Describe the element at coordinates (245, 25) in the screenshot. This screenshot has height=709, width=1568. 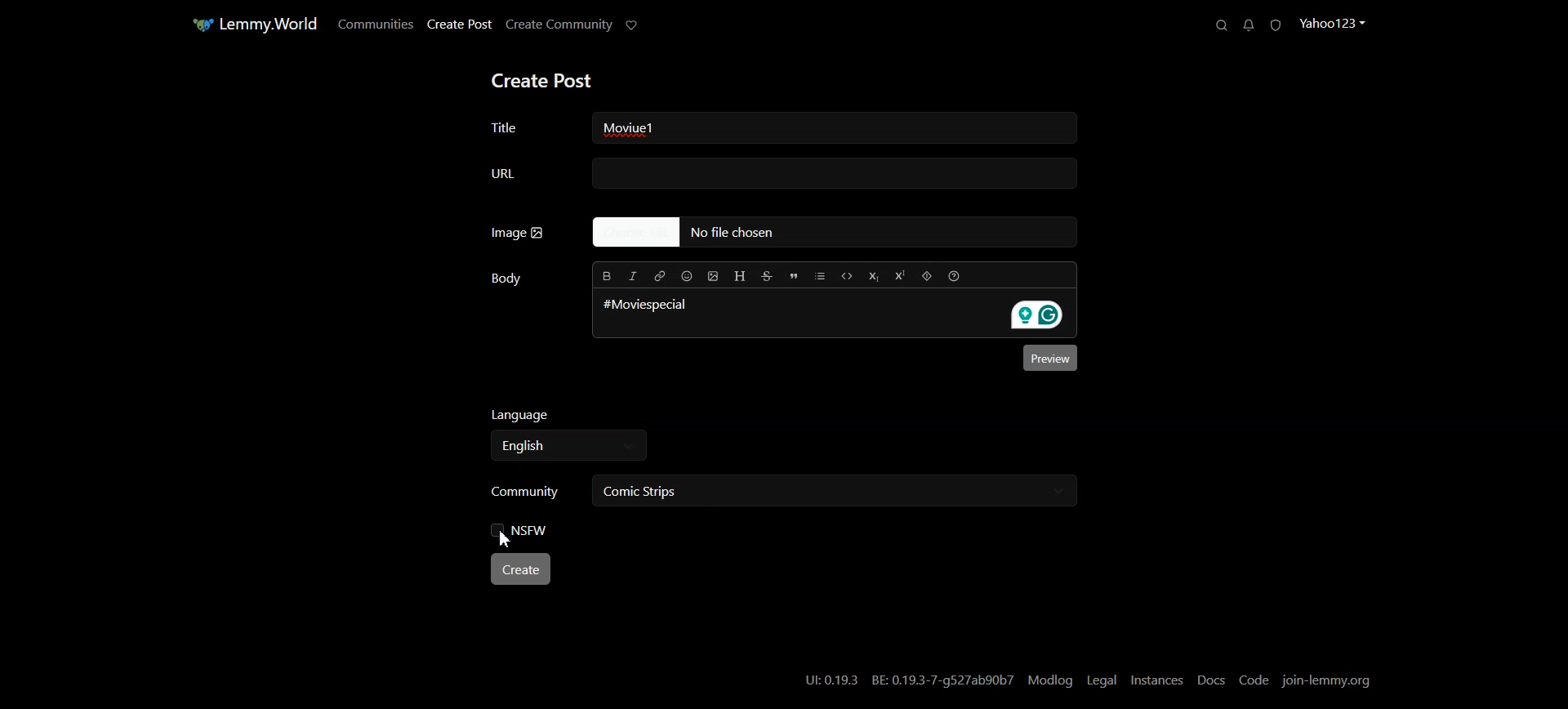
I see `Home Page` at that location.